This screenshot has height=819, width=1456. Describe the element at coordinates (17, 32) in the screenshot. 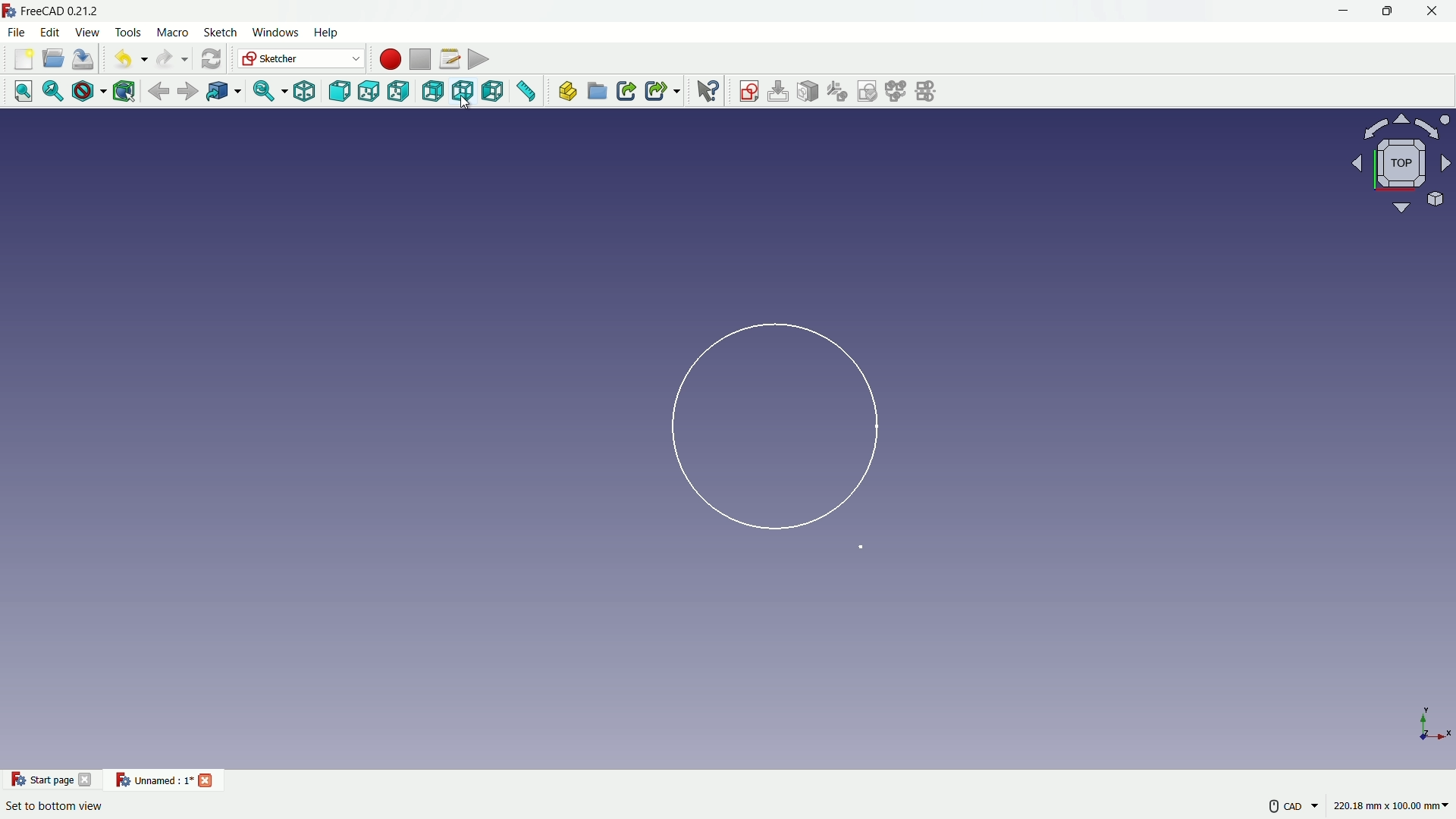

I see `file menu` at that location.